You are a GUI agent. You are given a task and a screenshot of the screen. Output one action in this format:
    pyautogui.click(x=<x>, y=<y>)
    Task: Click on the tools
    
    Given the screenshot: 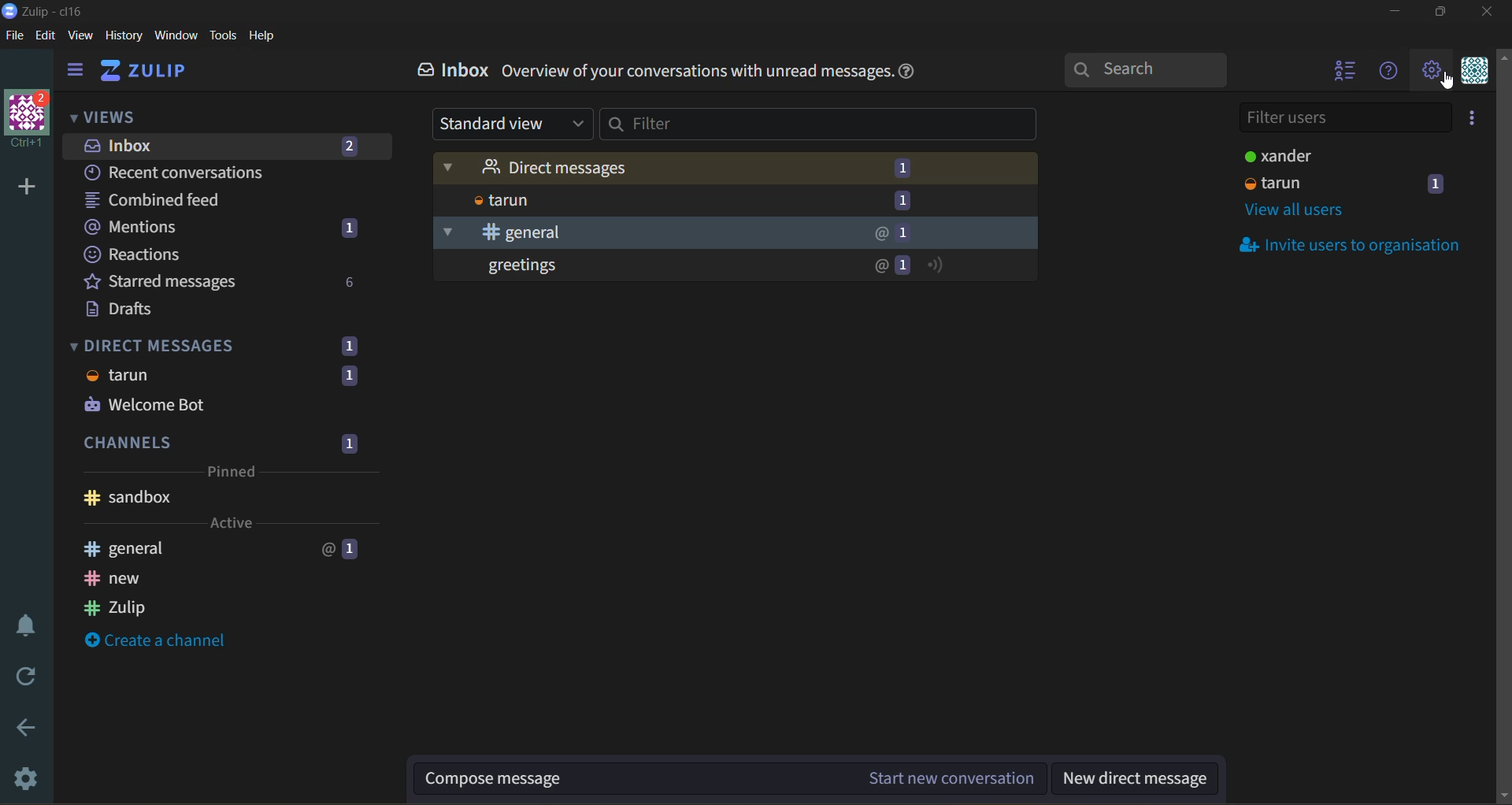 What is the action you would take?
    pyautogui.click(x=224, y=38)
    